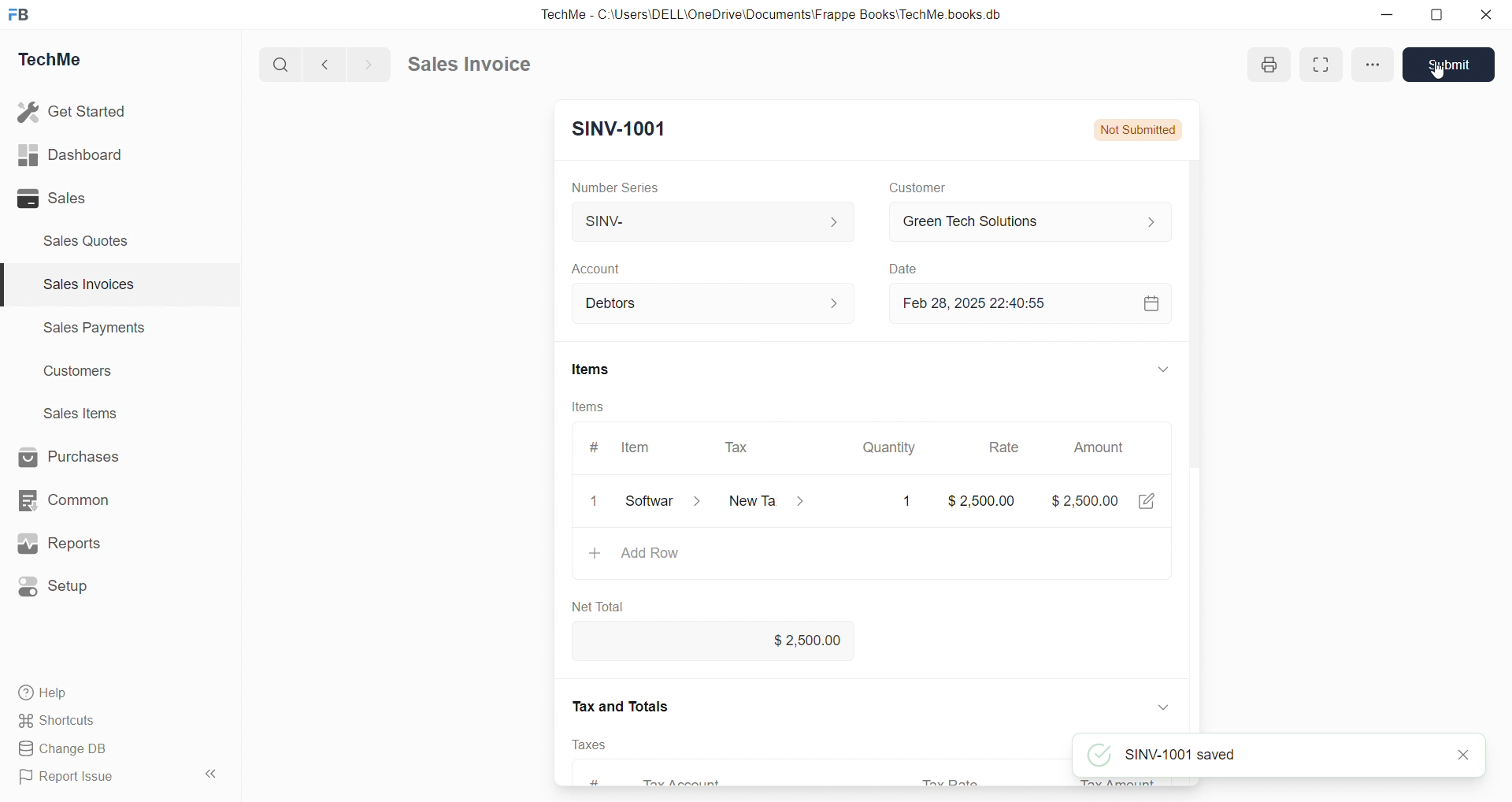 The height and width of the screenshot is (802, 1512). I want to click on close, so click(595, 501).